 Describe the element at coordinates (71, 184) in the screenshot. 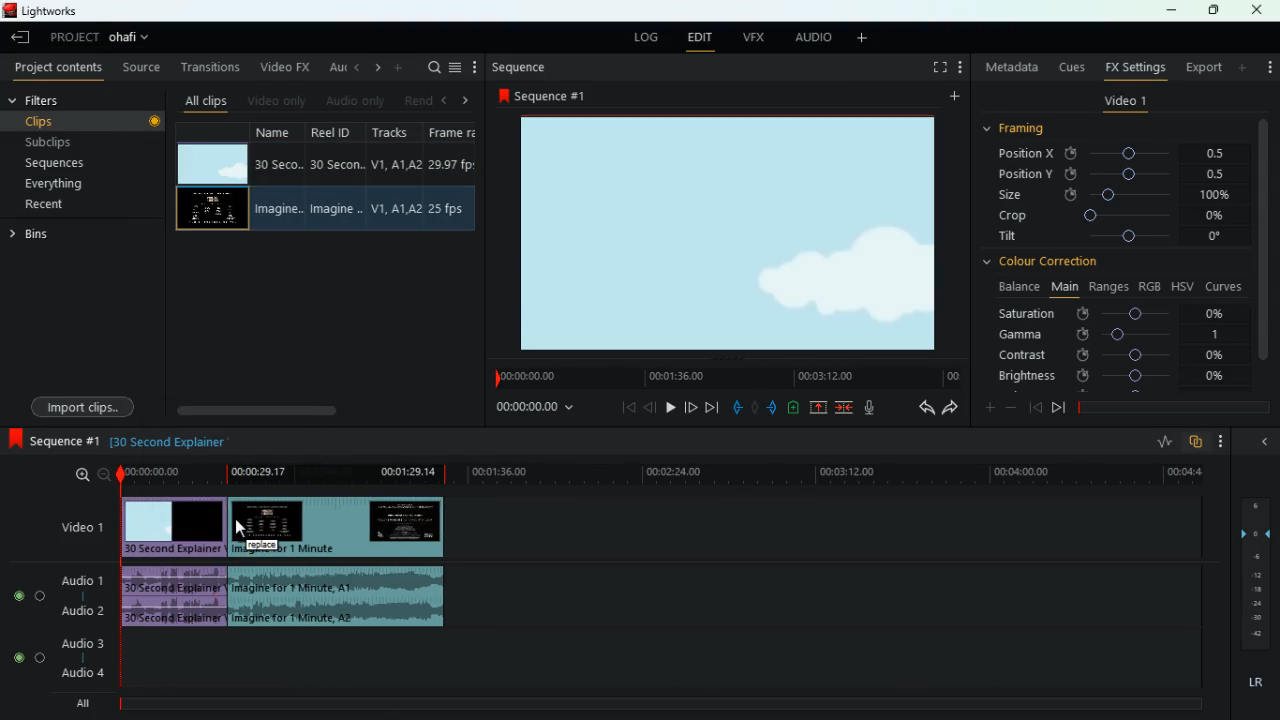

I see `everything` at that location.